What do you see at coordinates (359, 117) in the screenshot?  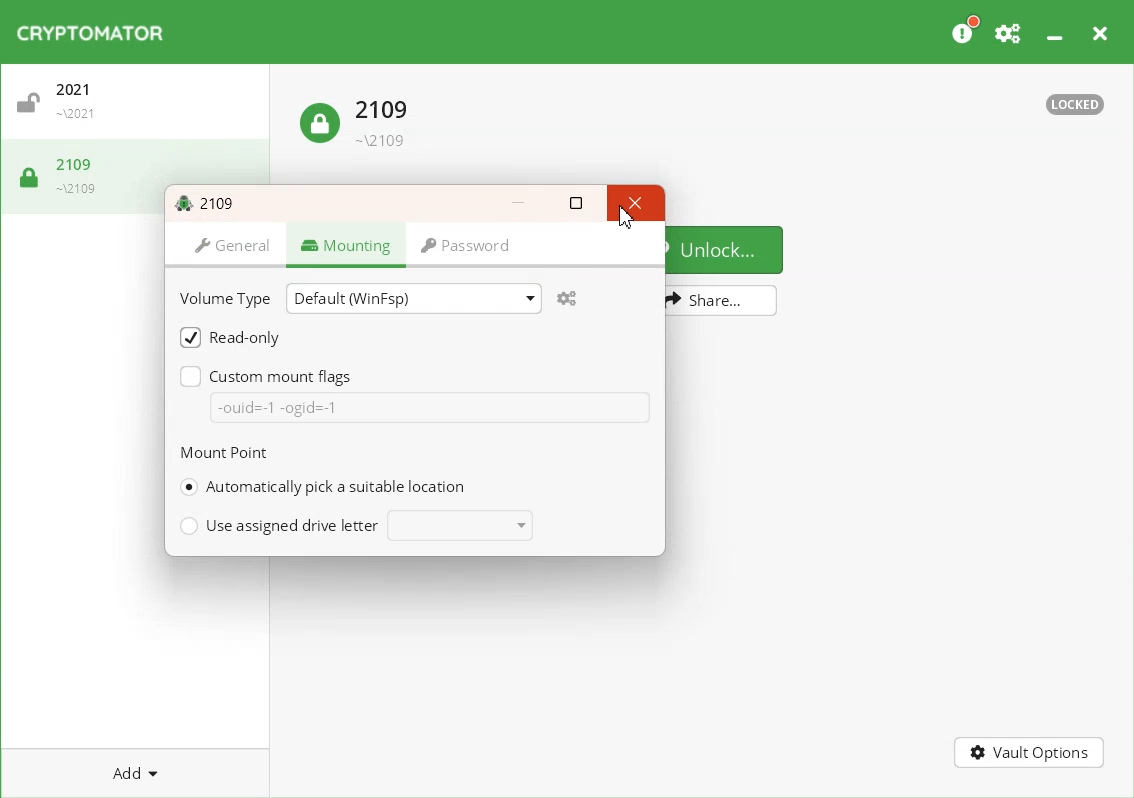 I see `Lock Vault` at bounding box center [359, 117].